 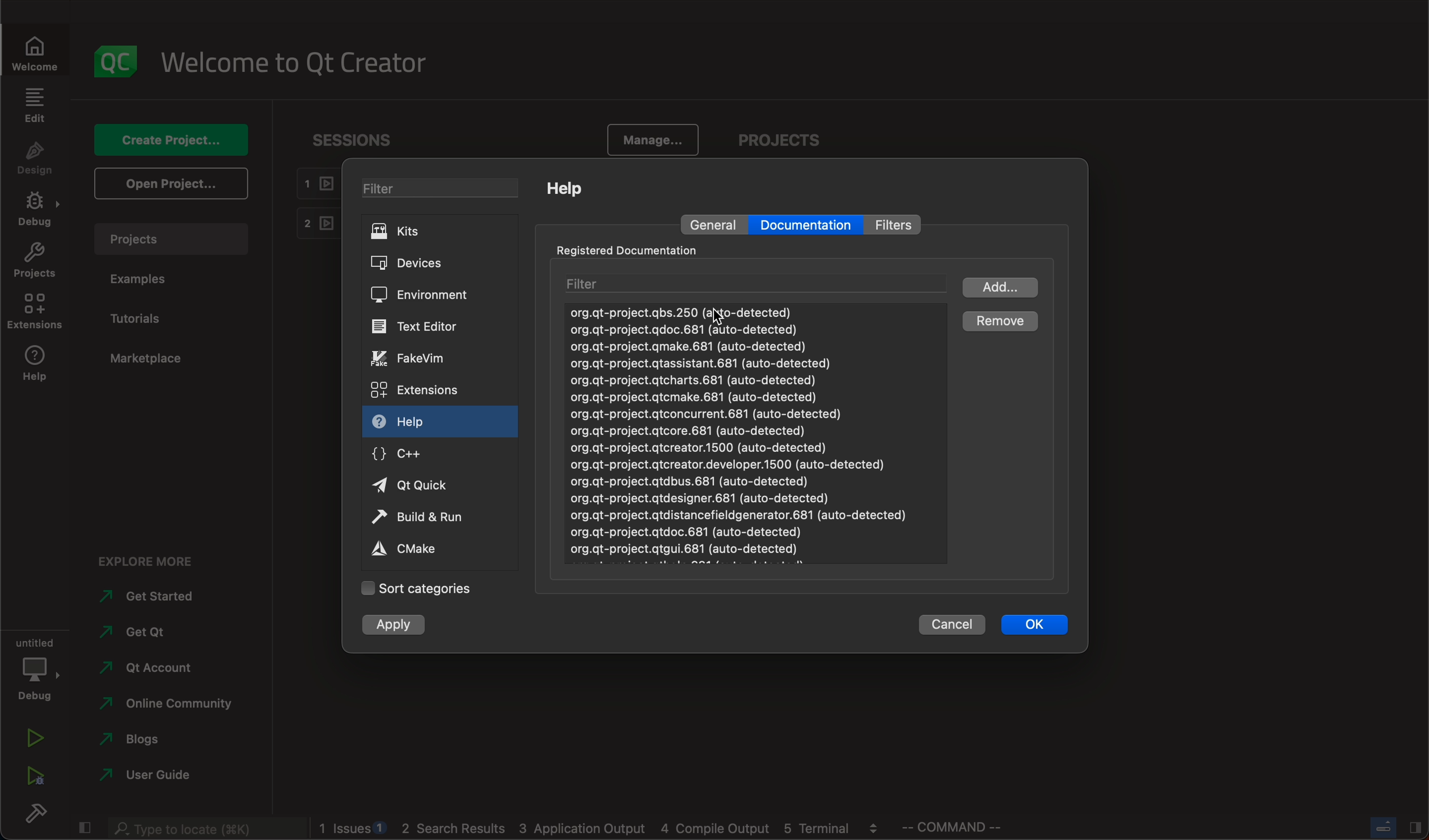 What do you see at coordinates (150, 669) in the screenshot?
I see `account` at bounding box center [150, 669].